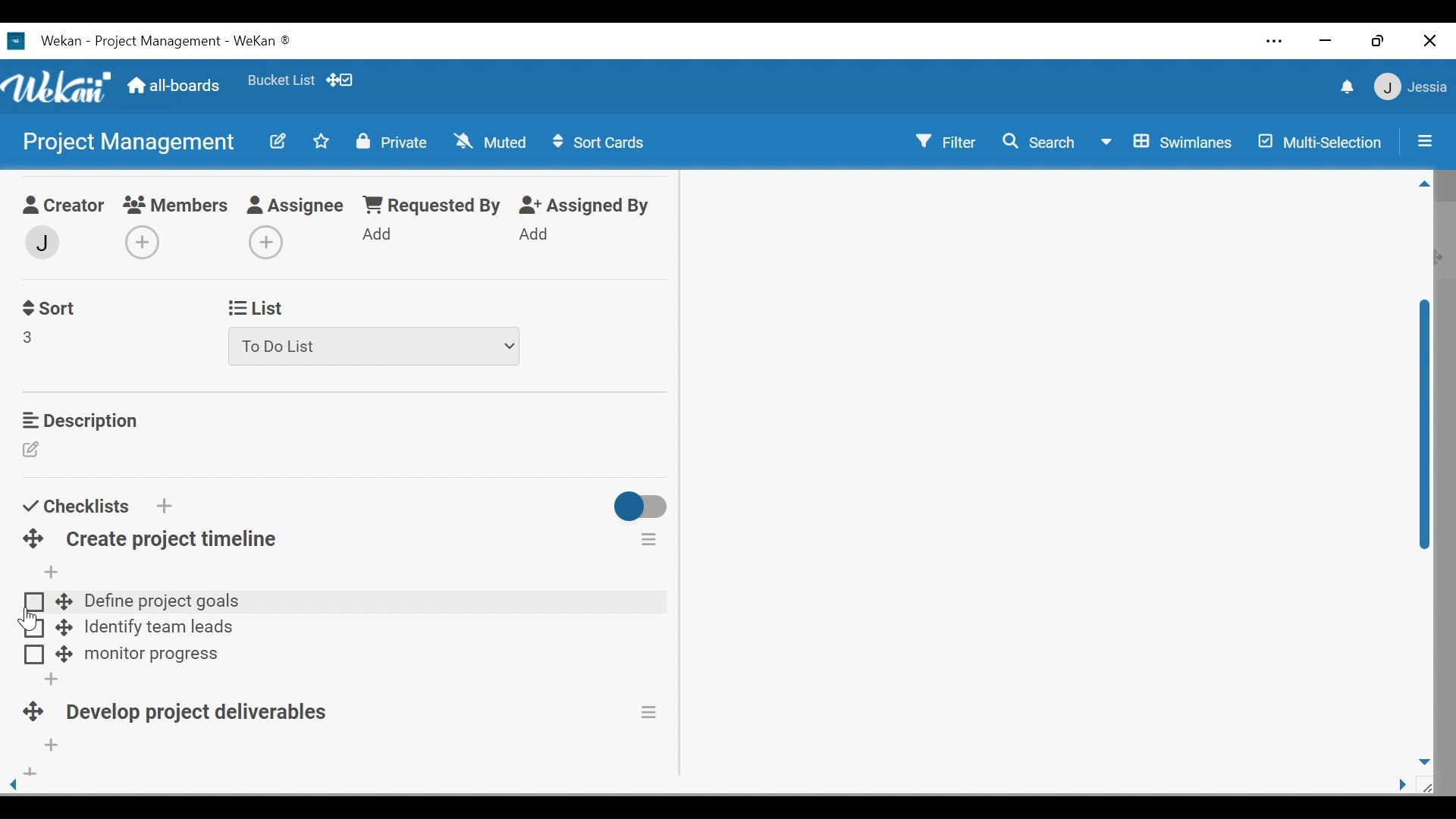  What do you see at coordinates (158, 629) in the screenshot?
I see `Checklist item` at bounding box center [158, 629].